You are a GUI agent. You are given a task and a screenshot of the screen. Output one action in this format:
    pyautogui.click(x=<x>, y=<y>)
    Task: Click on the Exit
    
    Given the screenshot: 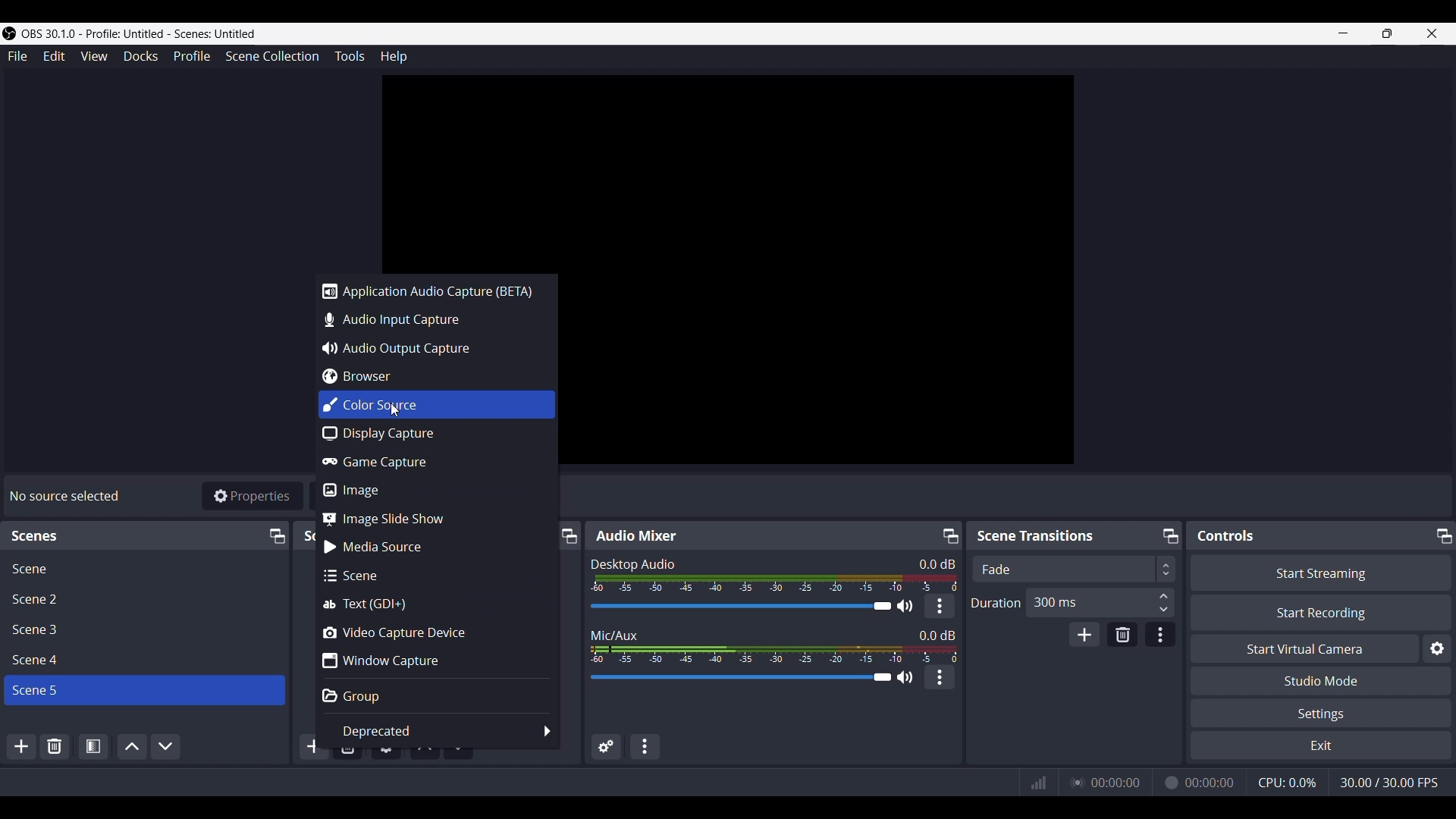 What is the action you would take?
    pyautogui.click(x=1320, y=746)
    